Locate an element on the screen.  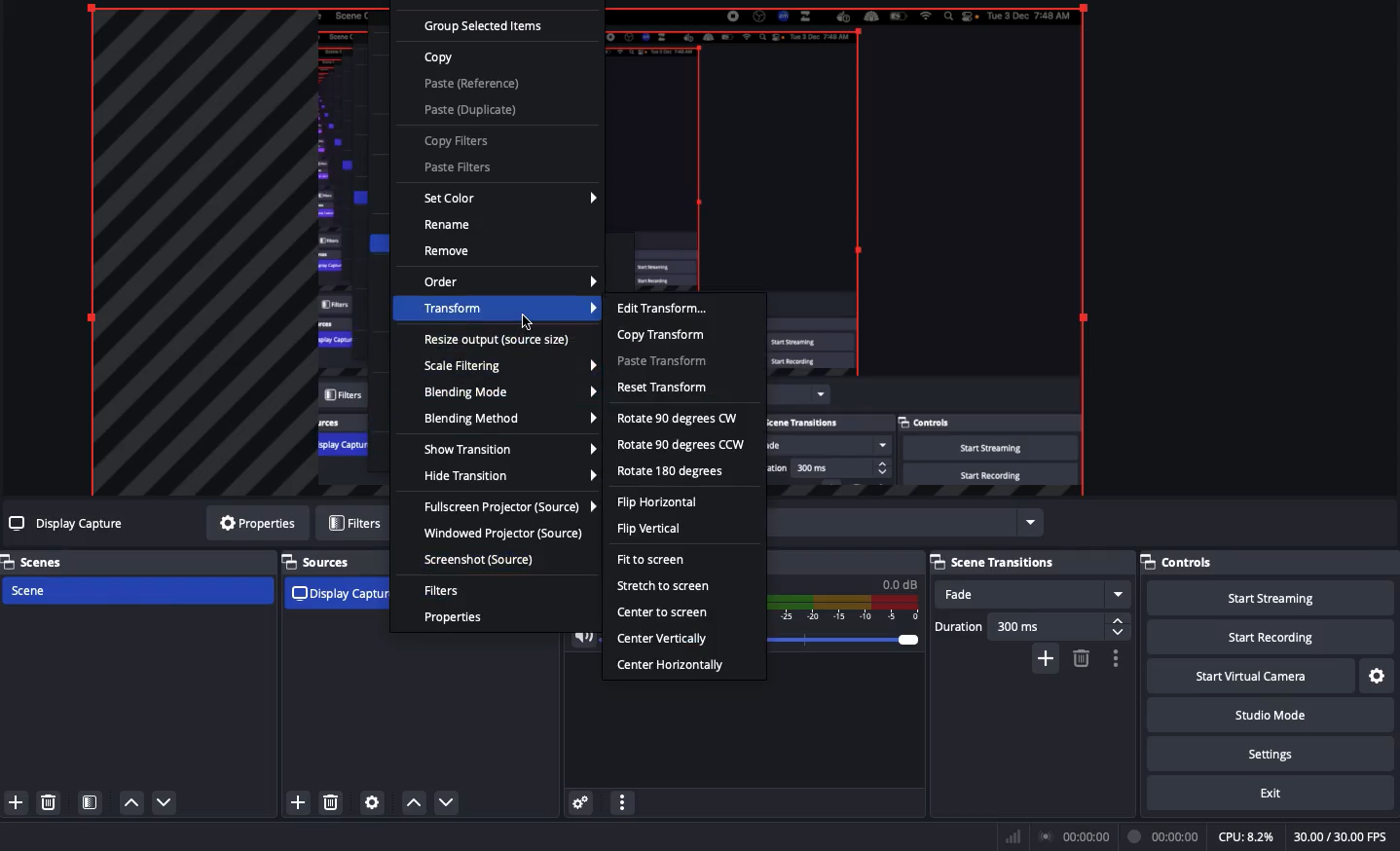
Scene transitions is located at coordinates (1030, 562).